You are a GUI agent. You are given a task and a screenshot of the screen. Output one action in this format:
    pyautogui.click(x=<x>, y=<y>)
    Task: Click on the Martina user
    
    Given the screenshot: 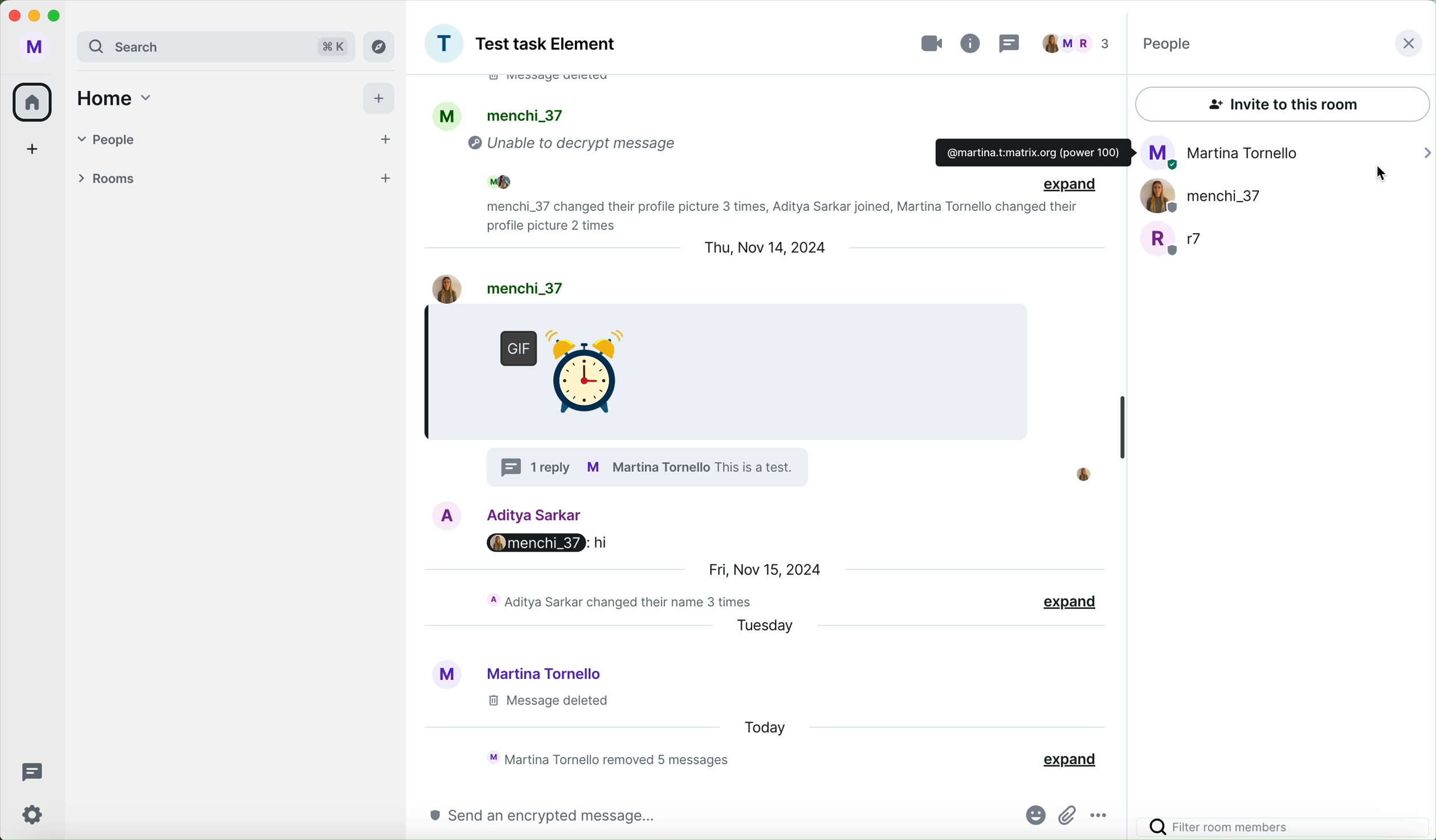 What is the action you would take?
    pyautogui.click(x=546, y=673)
    